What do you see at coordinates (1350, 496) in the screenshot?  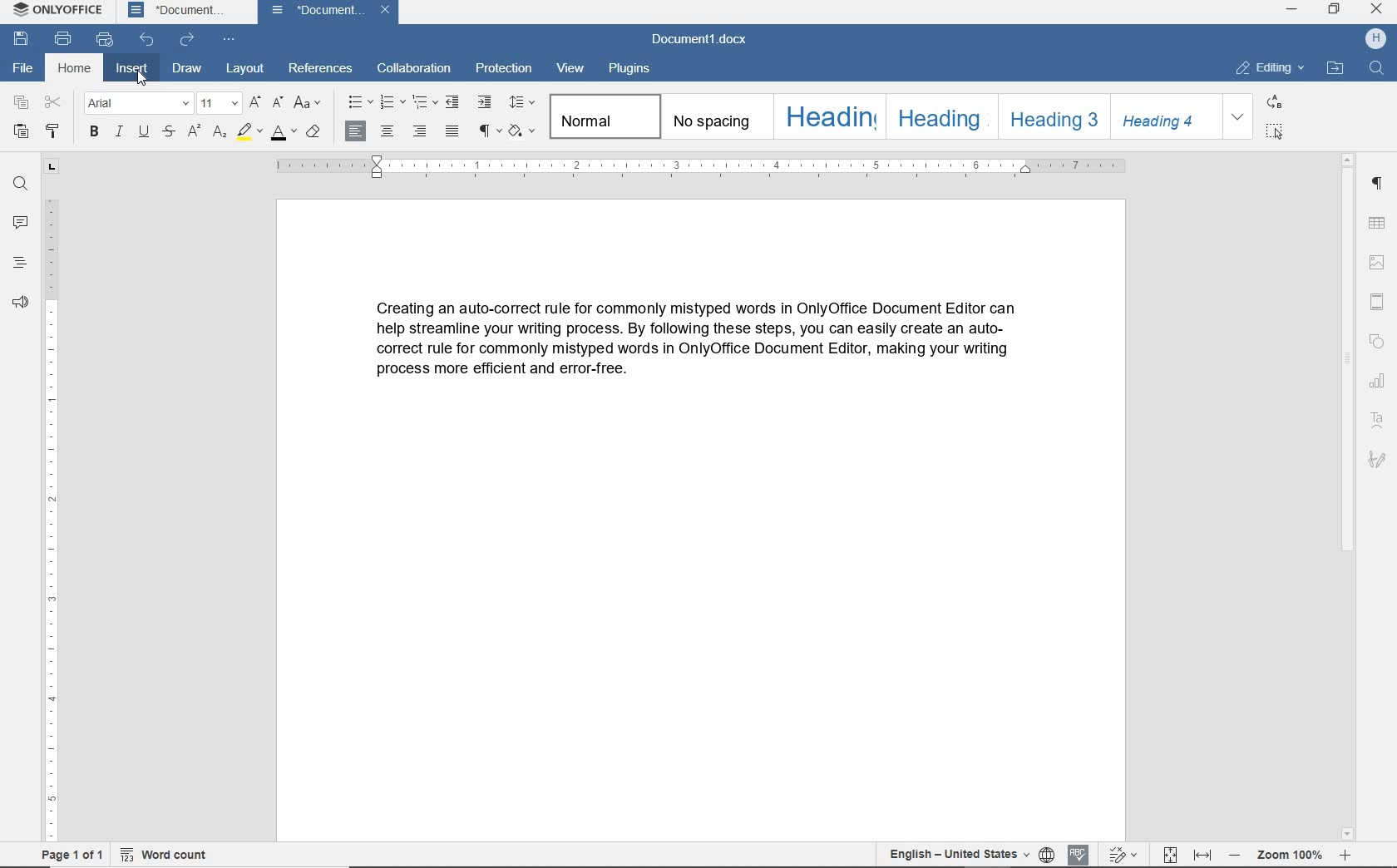 I see `scrollbar` at bounding box center [1350, 496].